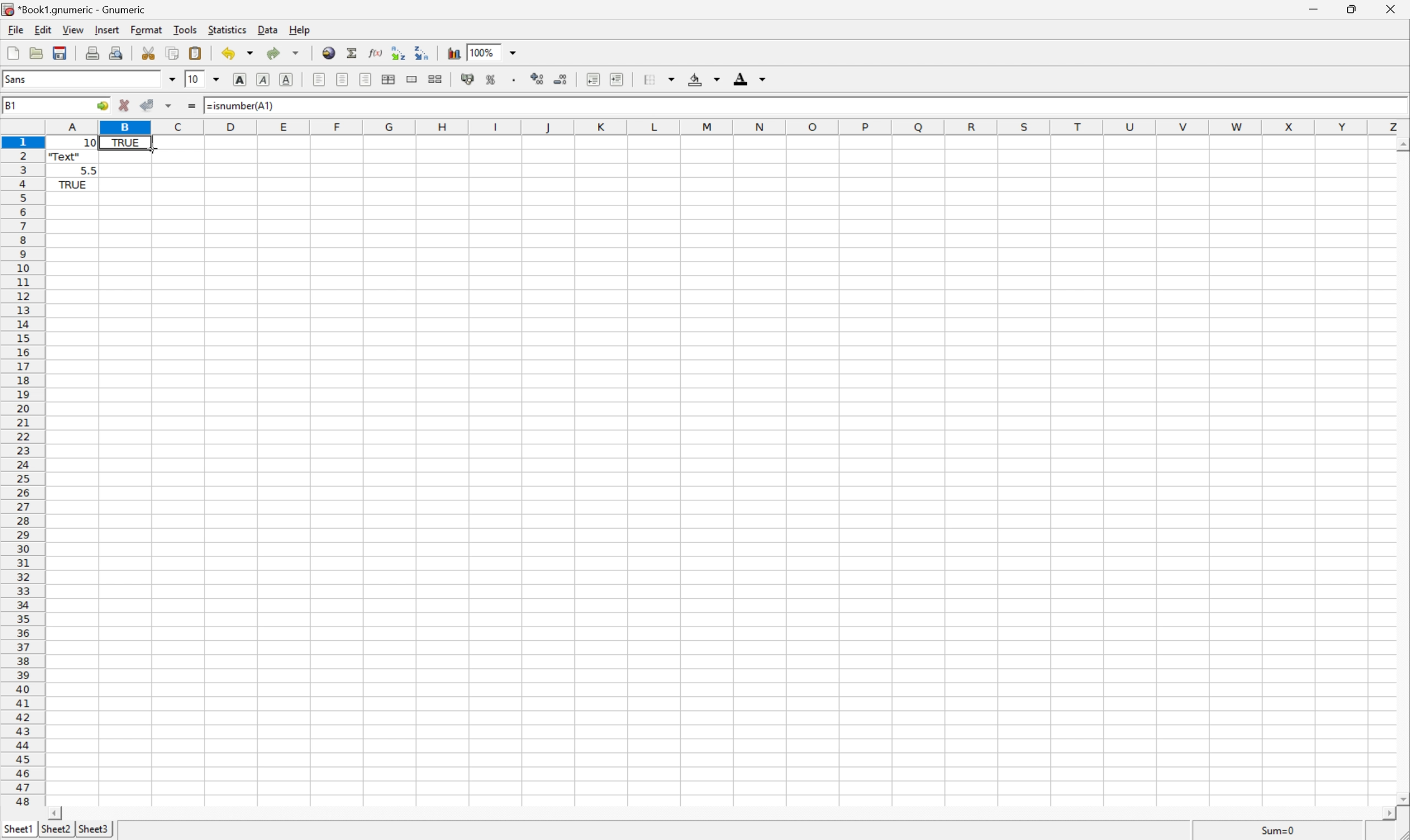 This screenshot has height=840, width=1410. I want to click on Accept changes, so click(149, 104).